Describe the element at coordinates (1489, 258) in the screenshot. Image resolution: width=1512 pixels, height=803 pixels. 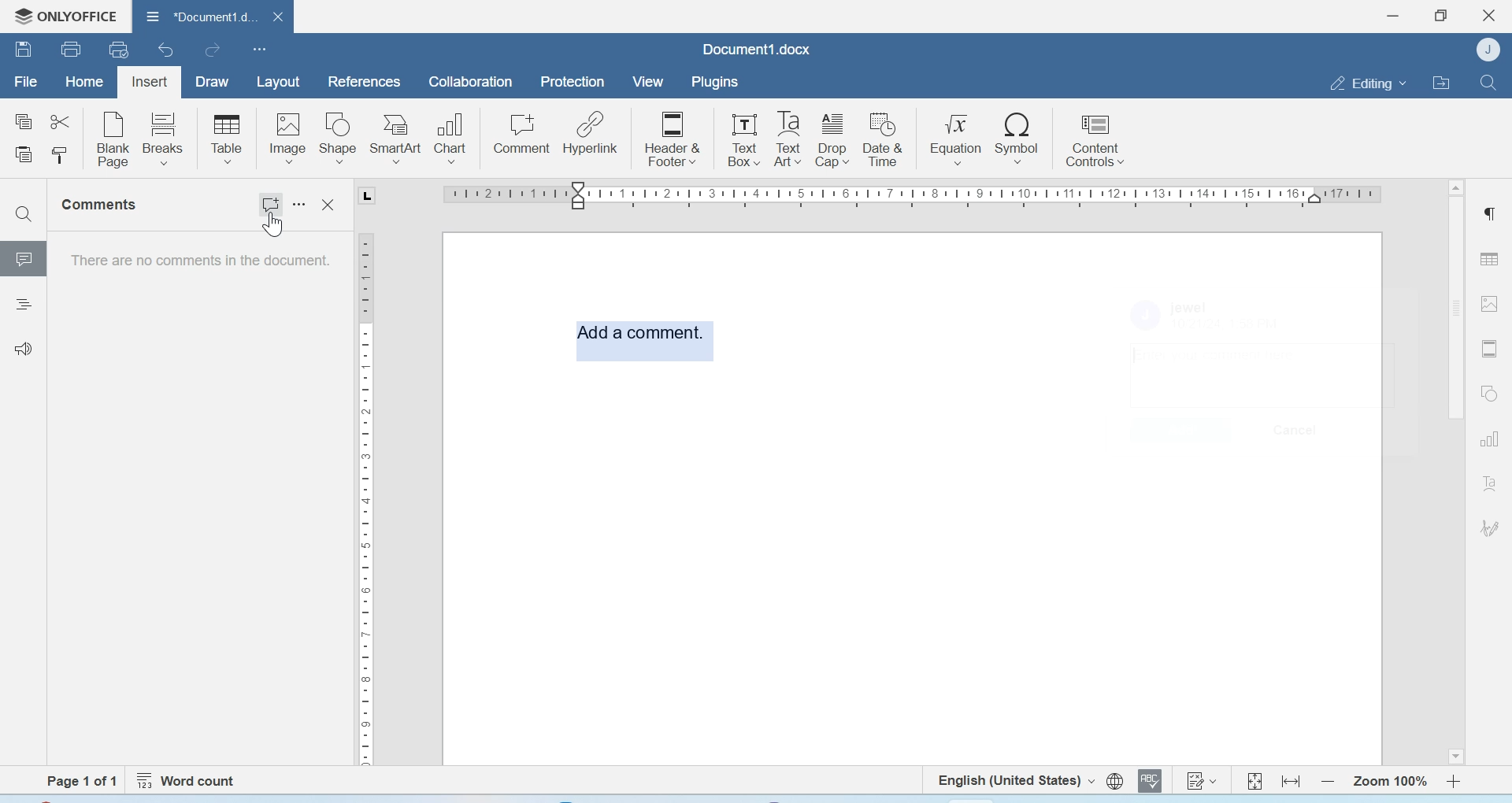
I see `Table` at that location.